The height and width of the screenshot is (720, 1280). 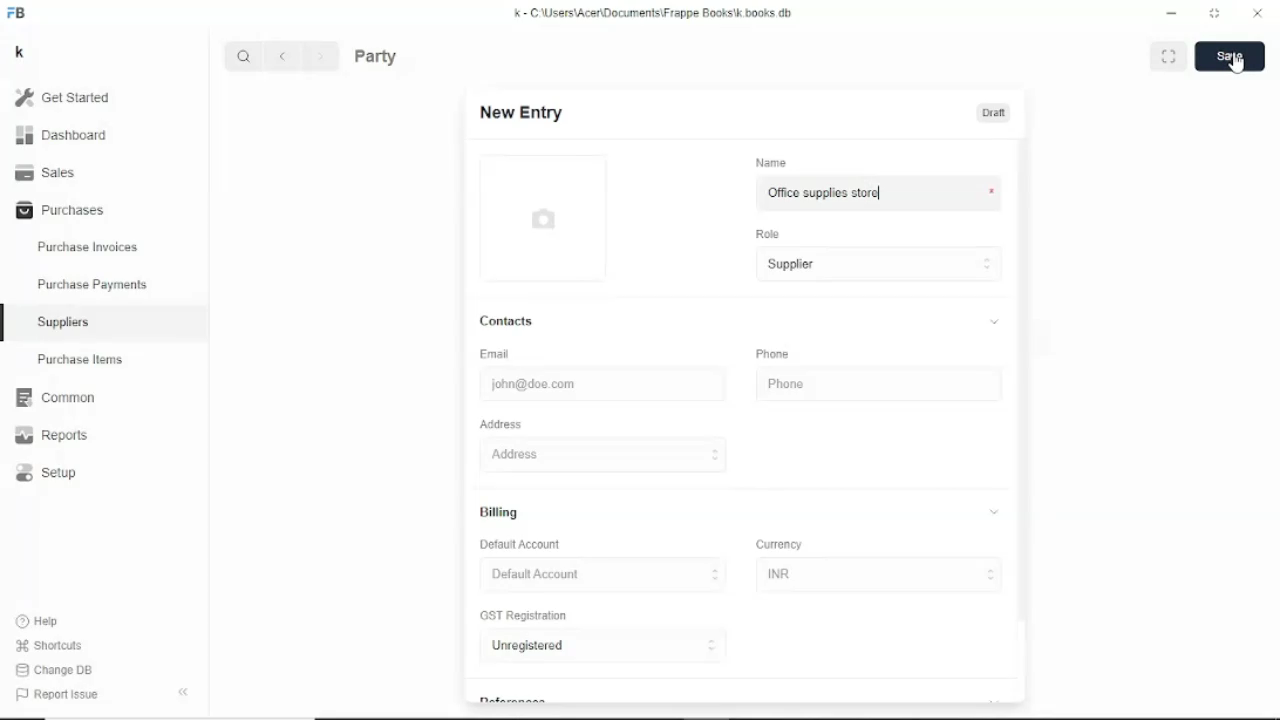 I want to click on Billing, so click(x=741, y=512).